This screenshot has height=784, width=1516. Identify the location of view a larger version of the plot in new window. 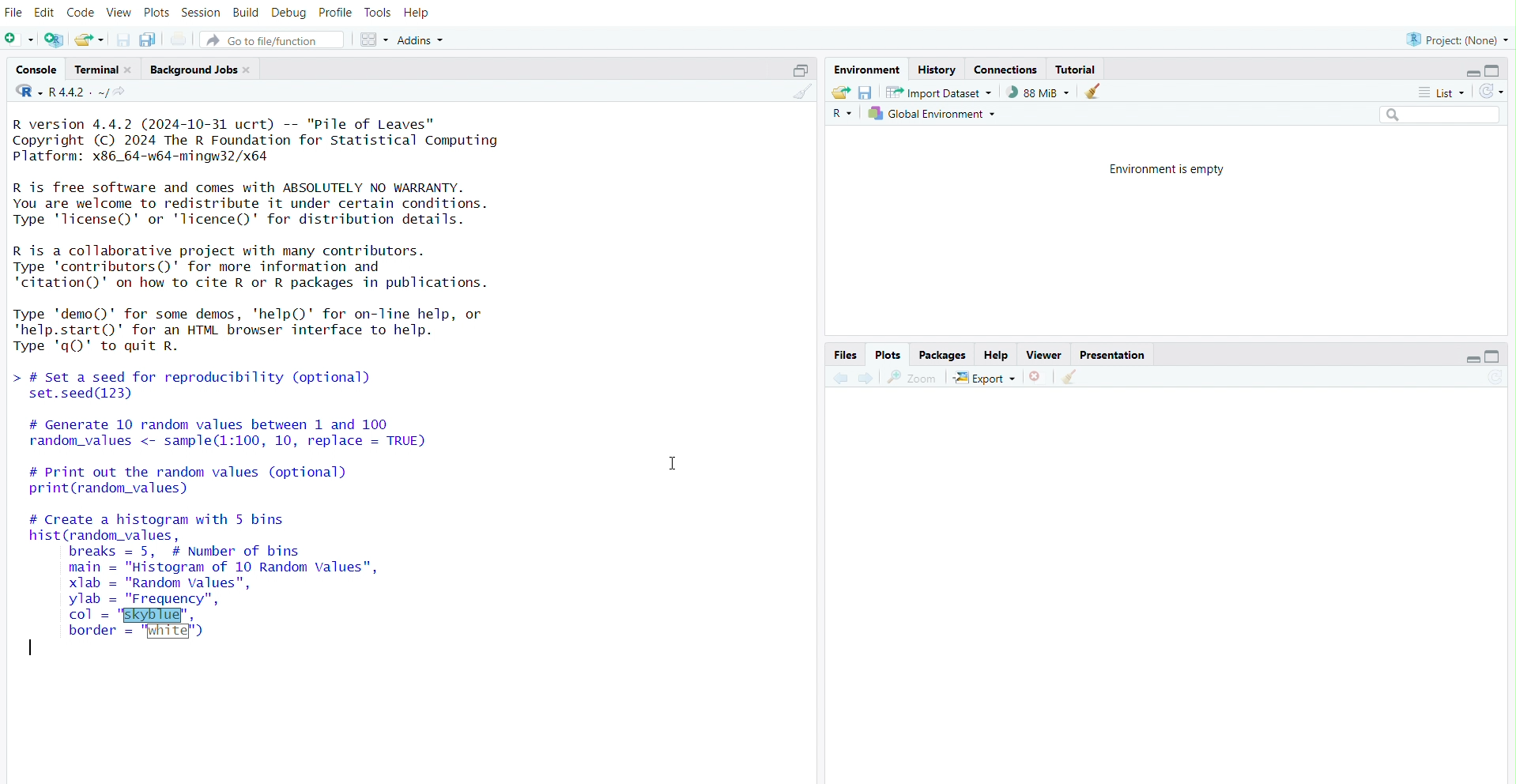
(911, 377).